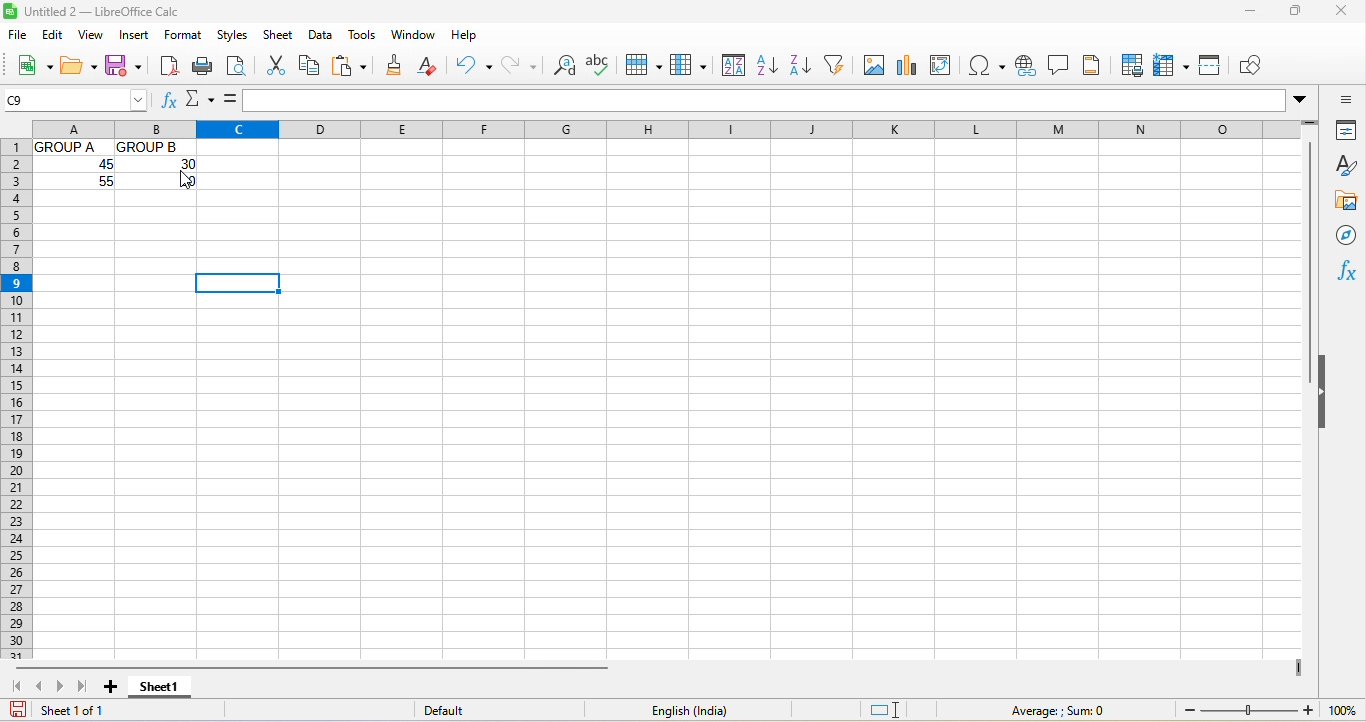  What do you see at coordinates (16, 687) in the screenshot?
I see `first sheet ` at bounding box center [16, 687].